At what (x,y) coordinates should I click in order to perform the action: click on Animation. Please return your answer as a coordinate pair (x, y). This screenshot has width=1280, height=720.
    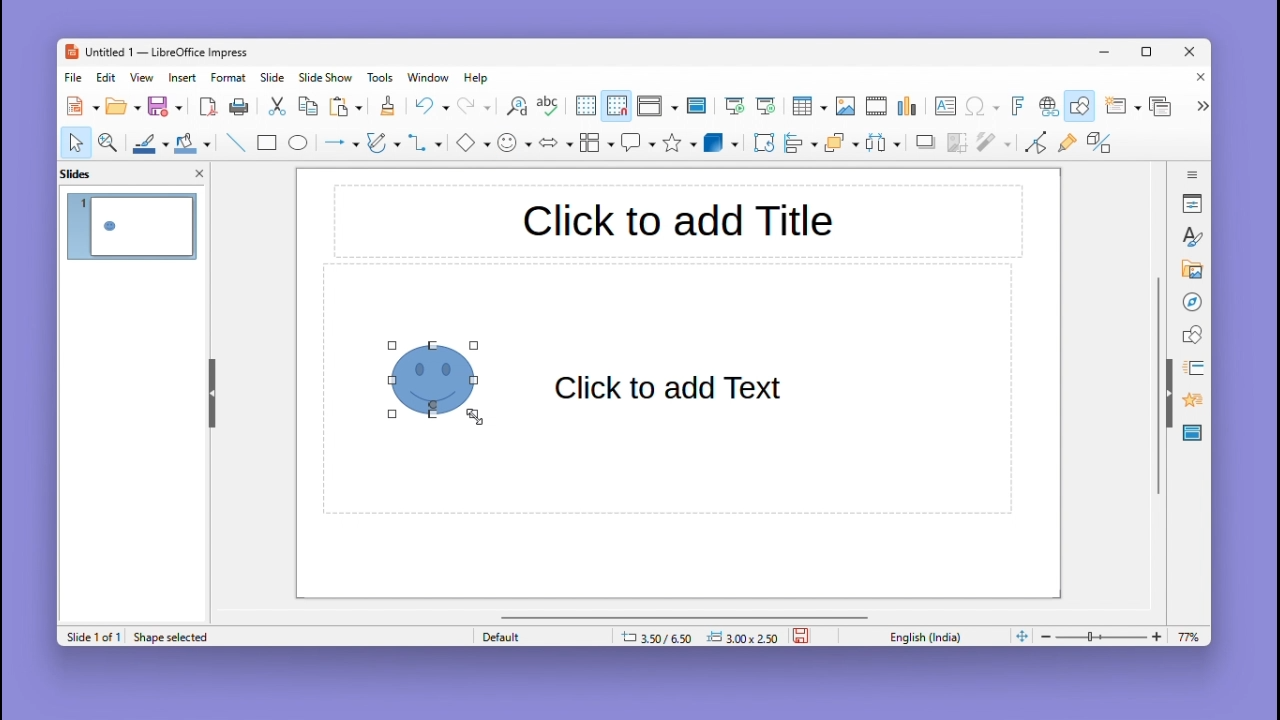
    Looking at the image, I should click on (1190, 368).